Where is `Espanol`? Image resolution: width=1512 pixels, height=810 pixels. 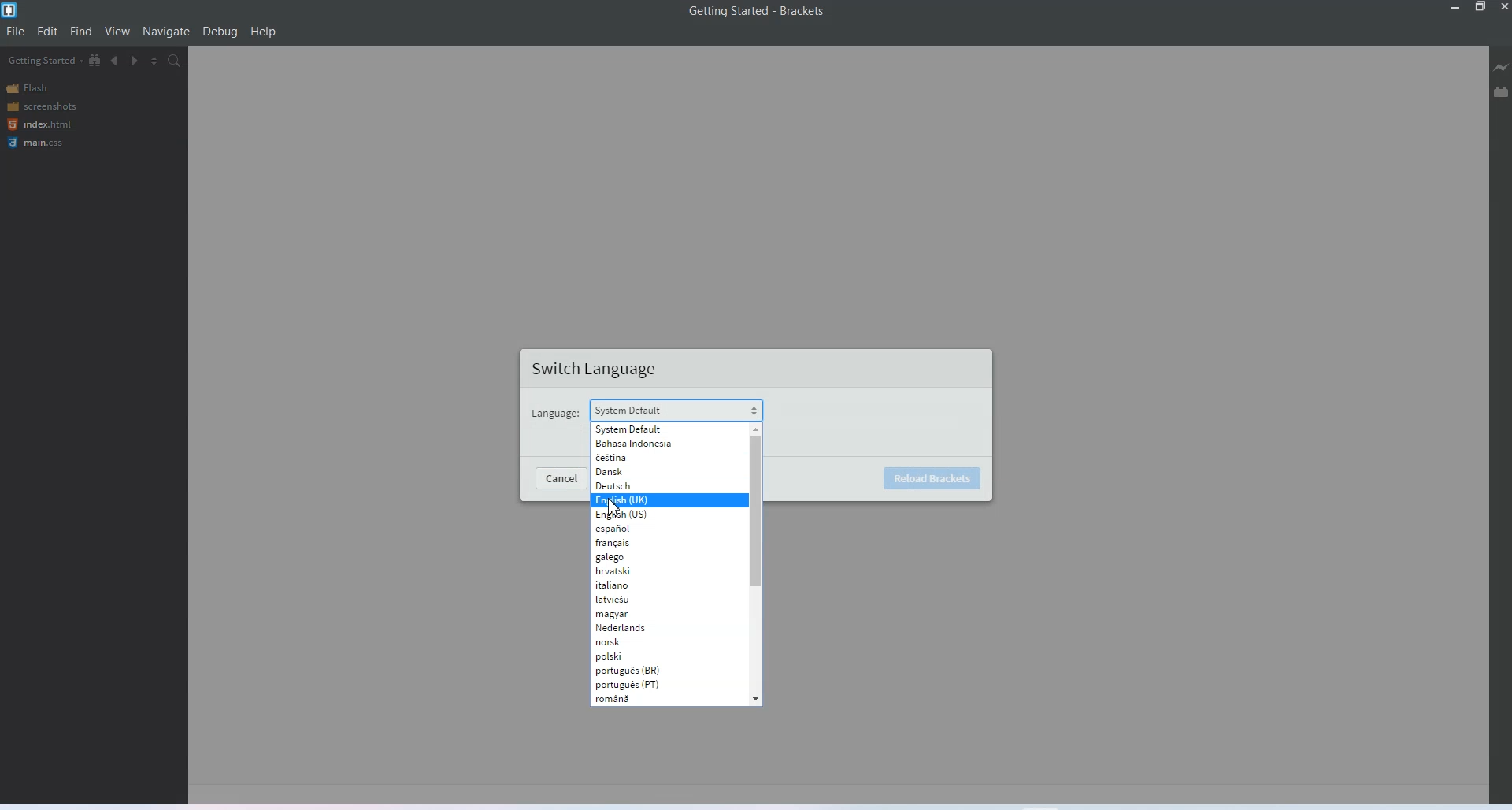 Espanol is located at coordinates (656, 529).